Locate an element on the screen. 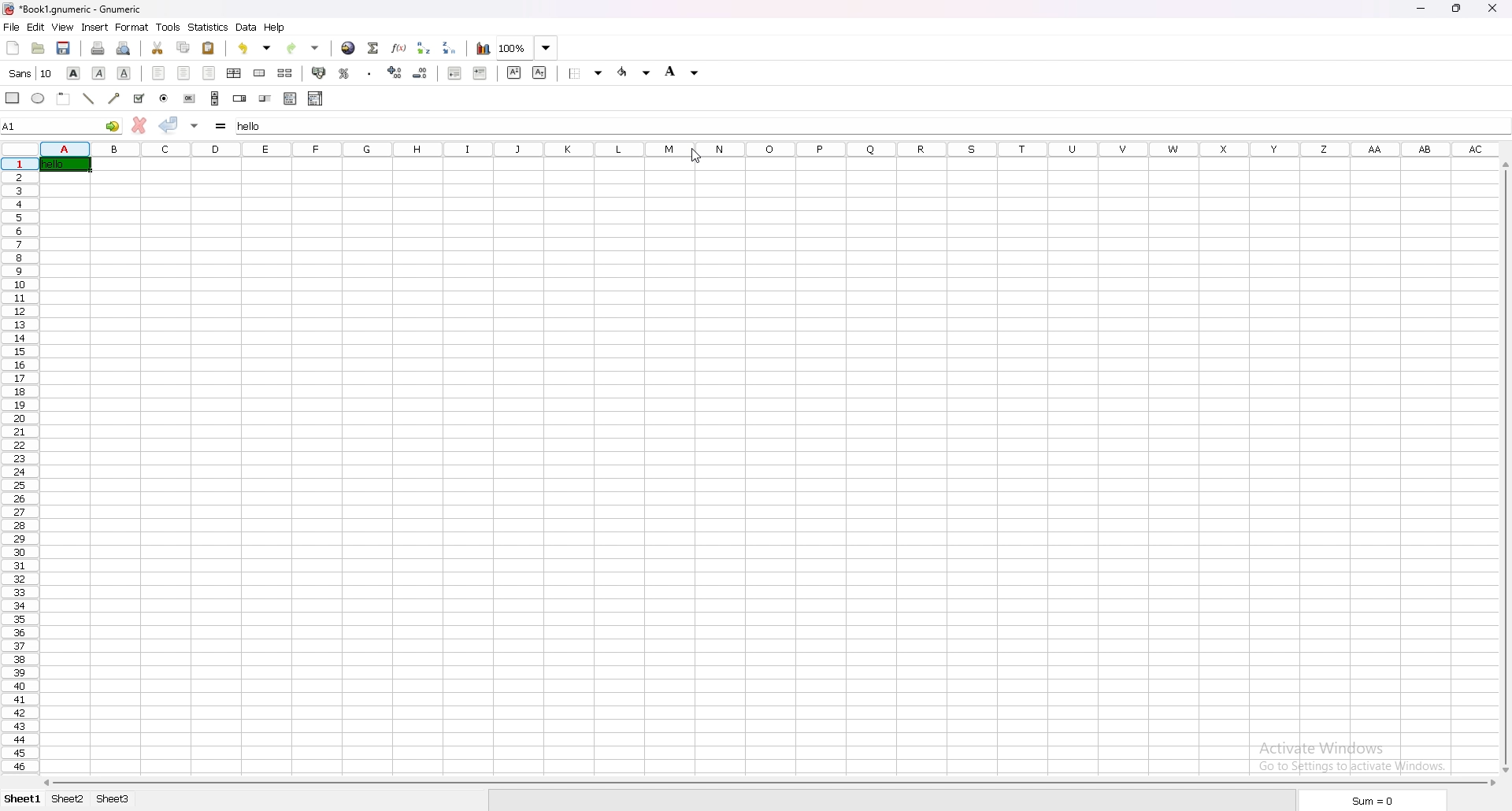 This screenshot has width=1512, height=811. redo is located at coordinates (302, 48).